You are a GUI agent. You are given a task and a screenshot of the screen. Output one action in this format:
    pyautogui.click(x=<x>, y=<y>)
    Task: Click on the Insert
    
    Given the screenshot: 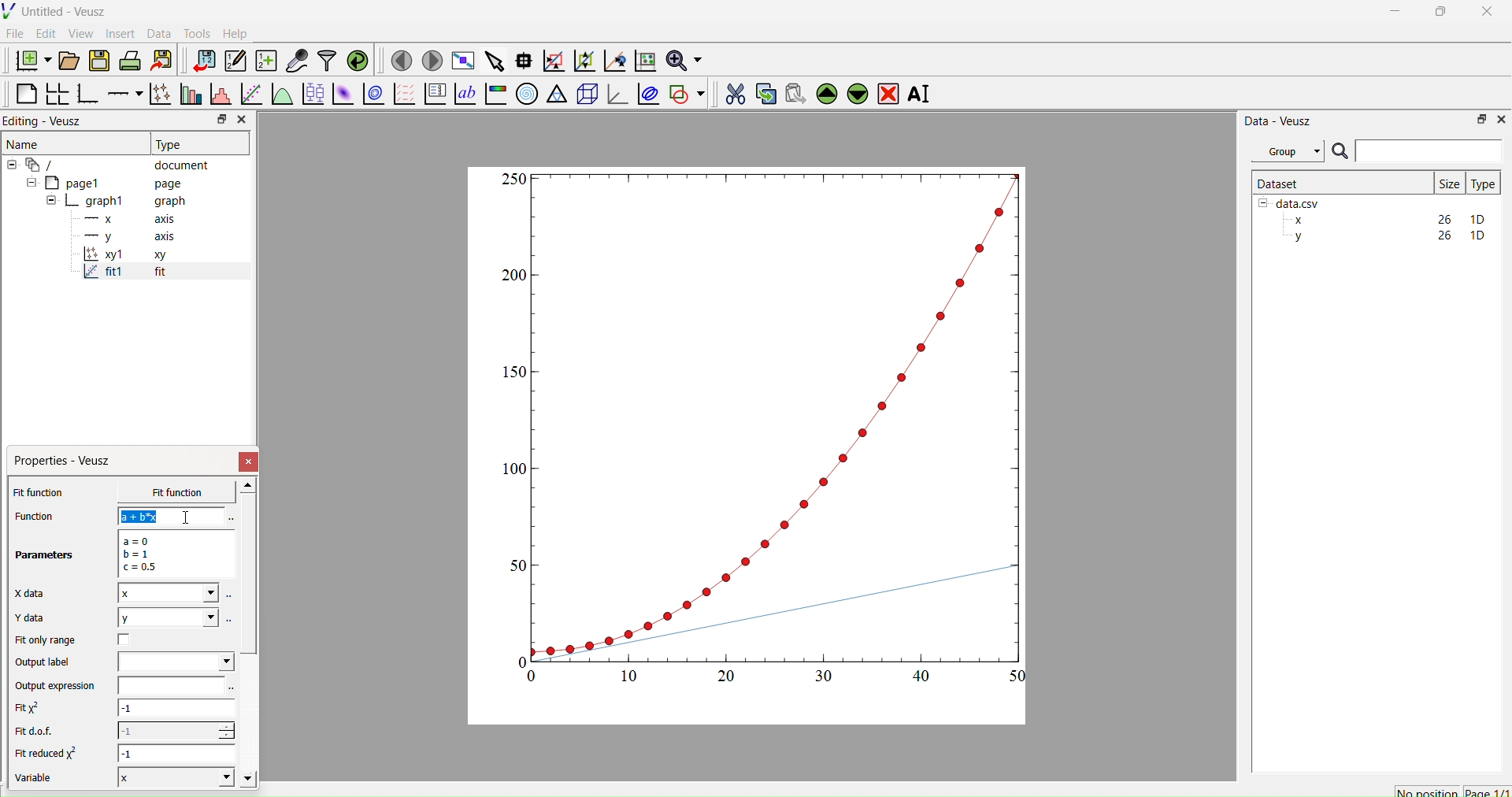 What is the action you would take?
    pyautogui.click(x=123, y=33)
    